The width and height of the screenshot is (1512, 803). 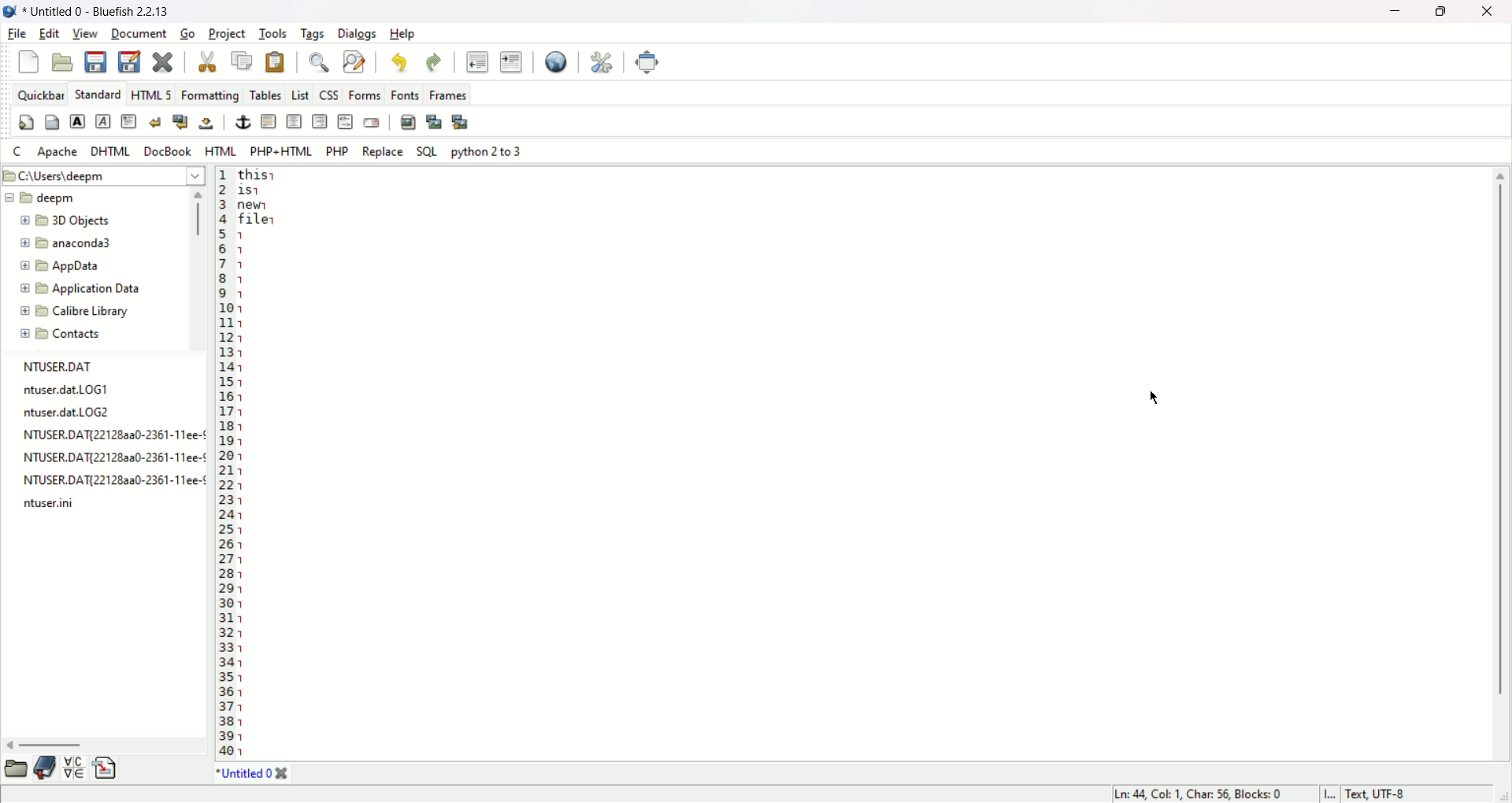 What do you see at coordinates (225, 463) in the screenshot?
I see `line number` at bounding box center [225, 463].